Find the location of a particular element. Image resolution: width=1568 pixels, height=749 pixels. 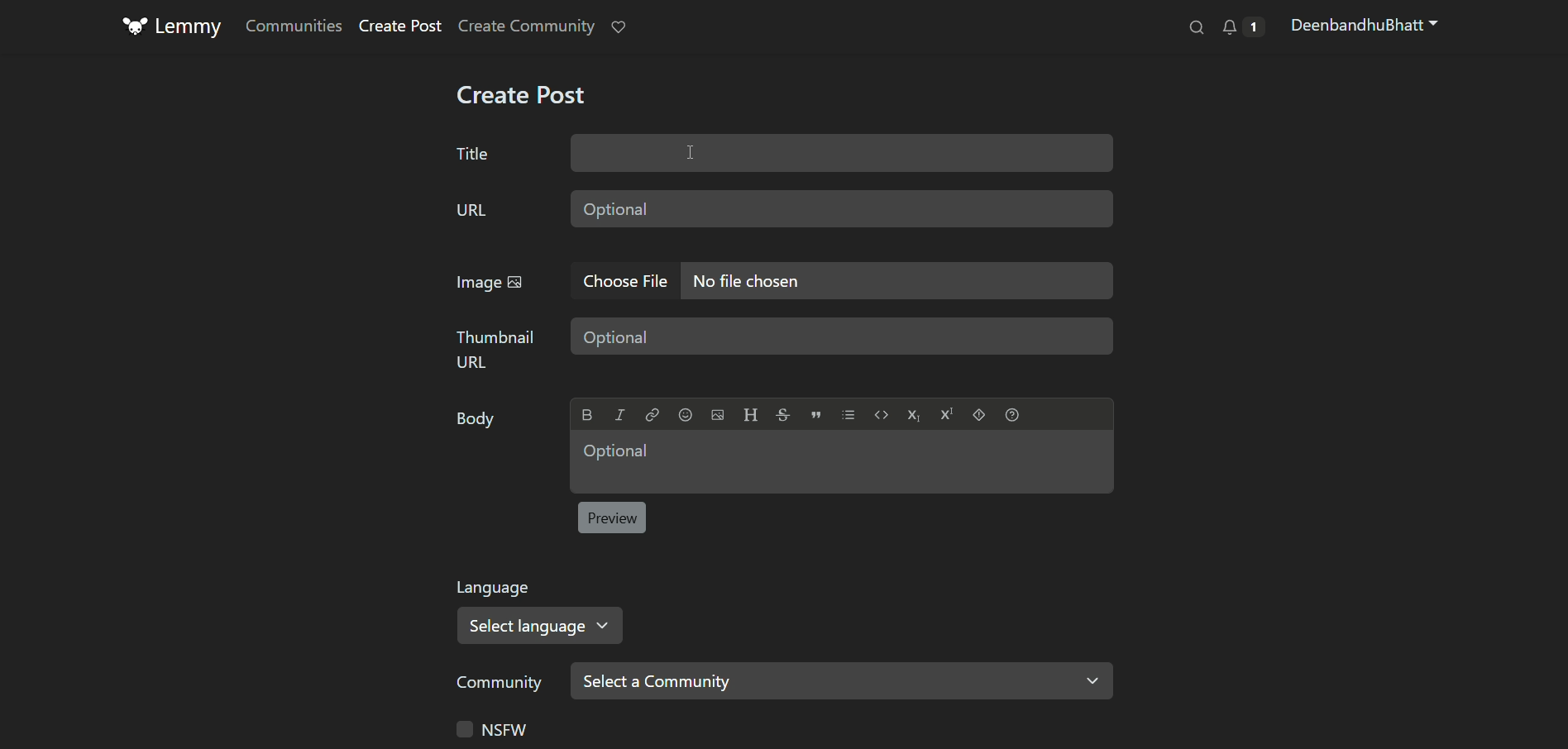

preview is located at coordinates (614, 518).